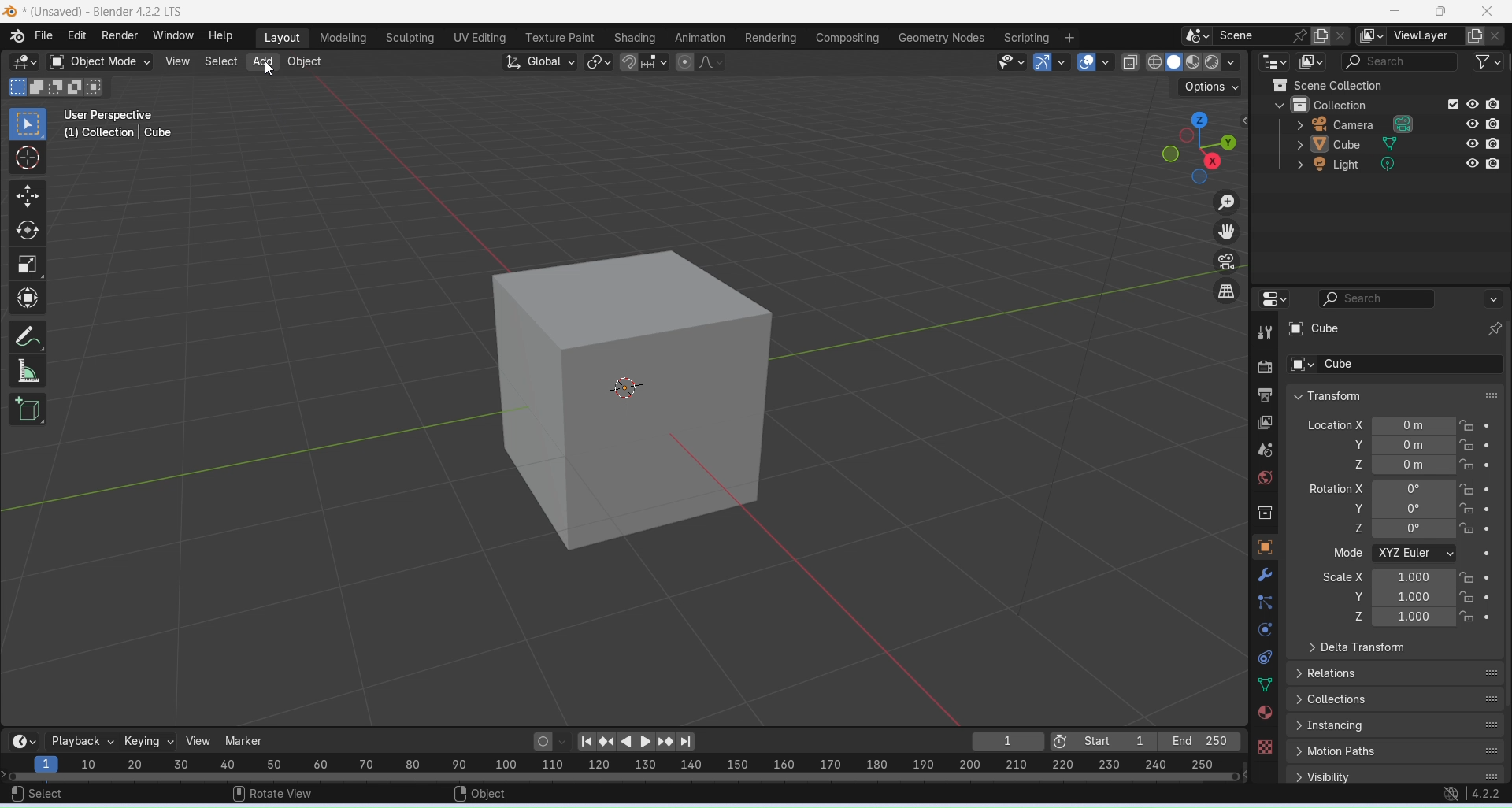 The height and width of the screenshot is (808, 1512). What do you see at coordinates (28, 158) in the screenshot?
I see `Cursor` at bounding box center [28, 158].